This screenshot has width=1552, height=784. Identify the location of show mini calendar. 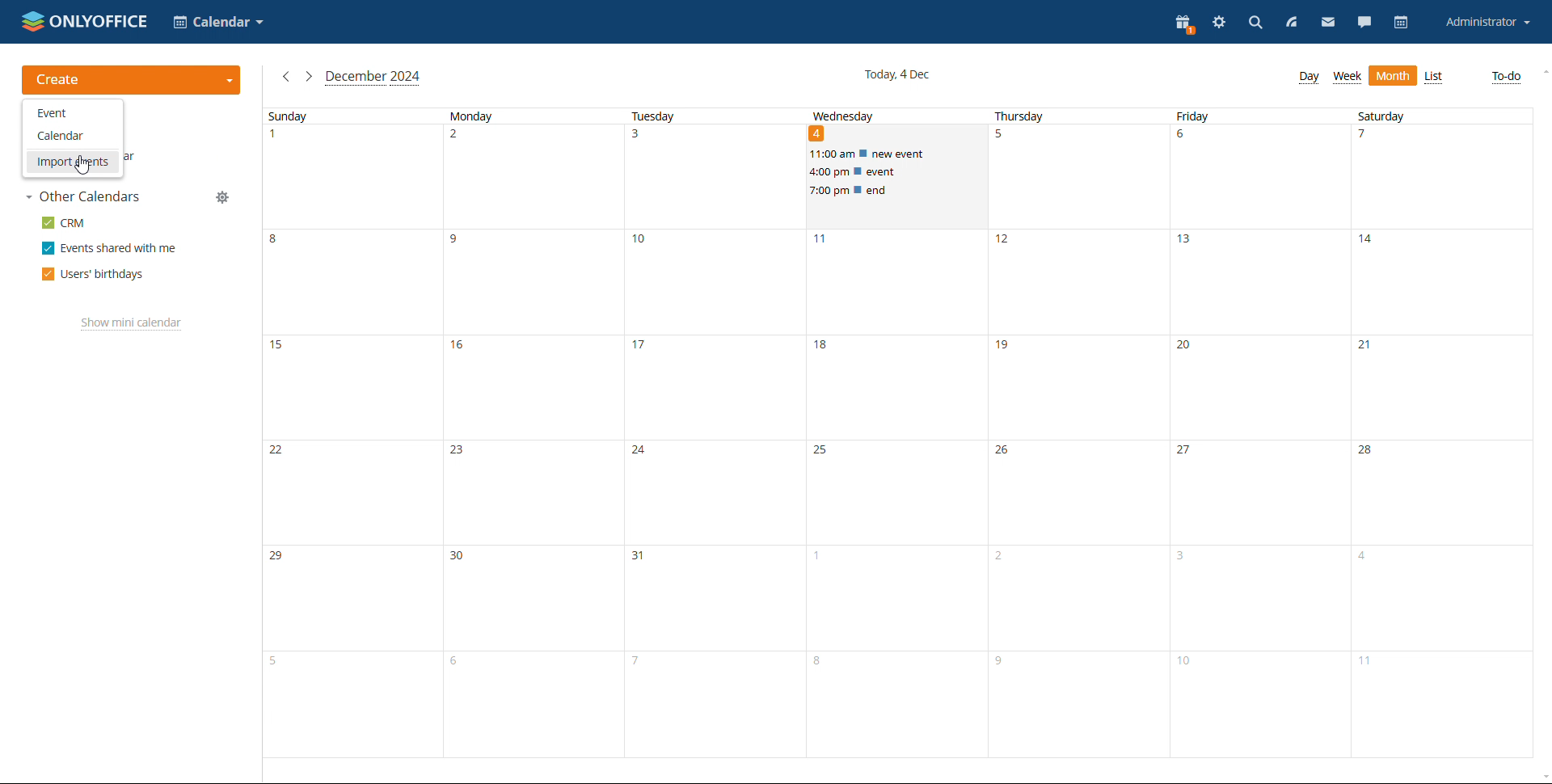
(130, 323).